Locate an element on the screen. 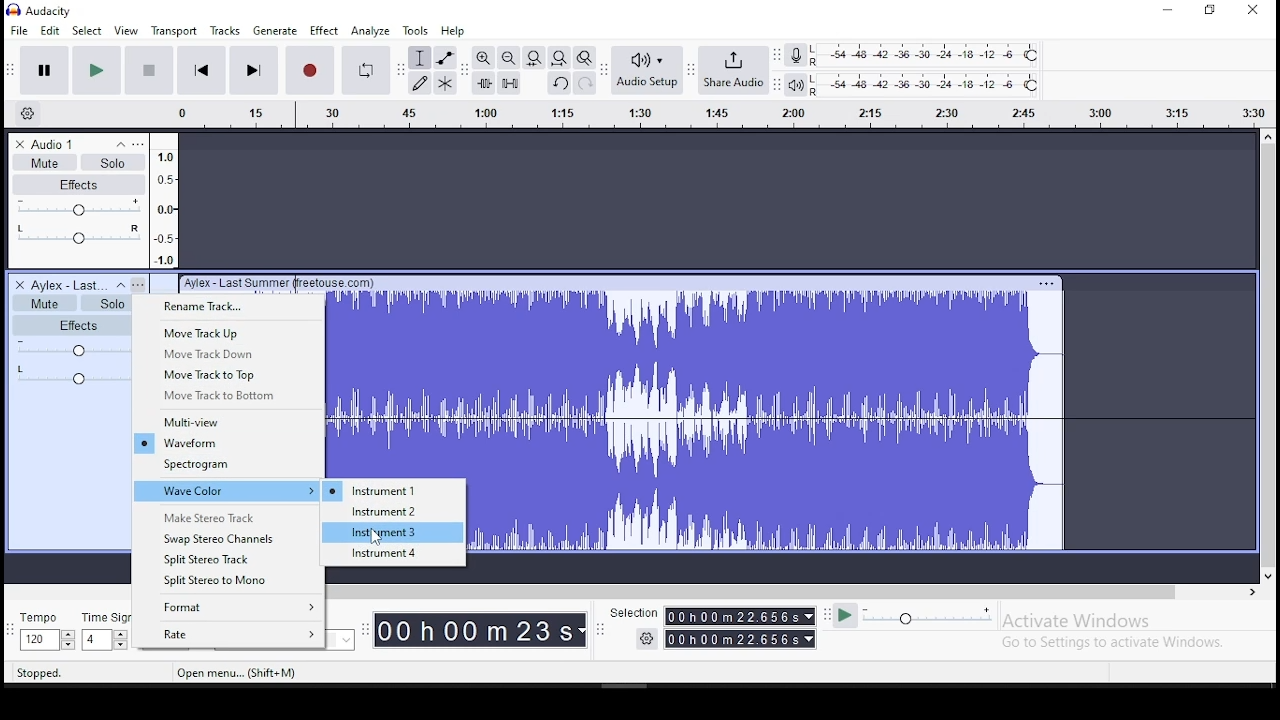  select is located at coordinates (88, 31).